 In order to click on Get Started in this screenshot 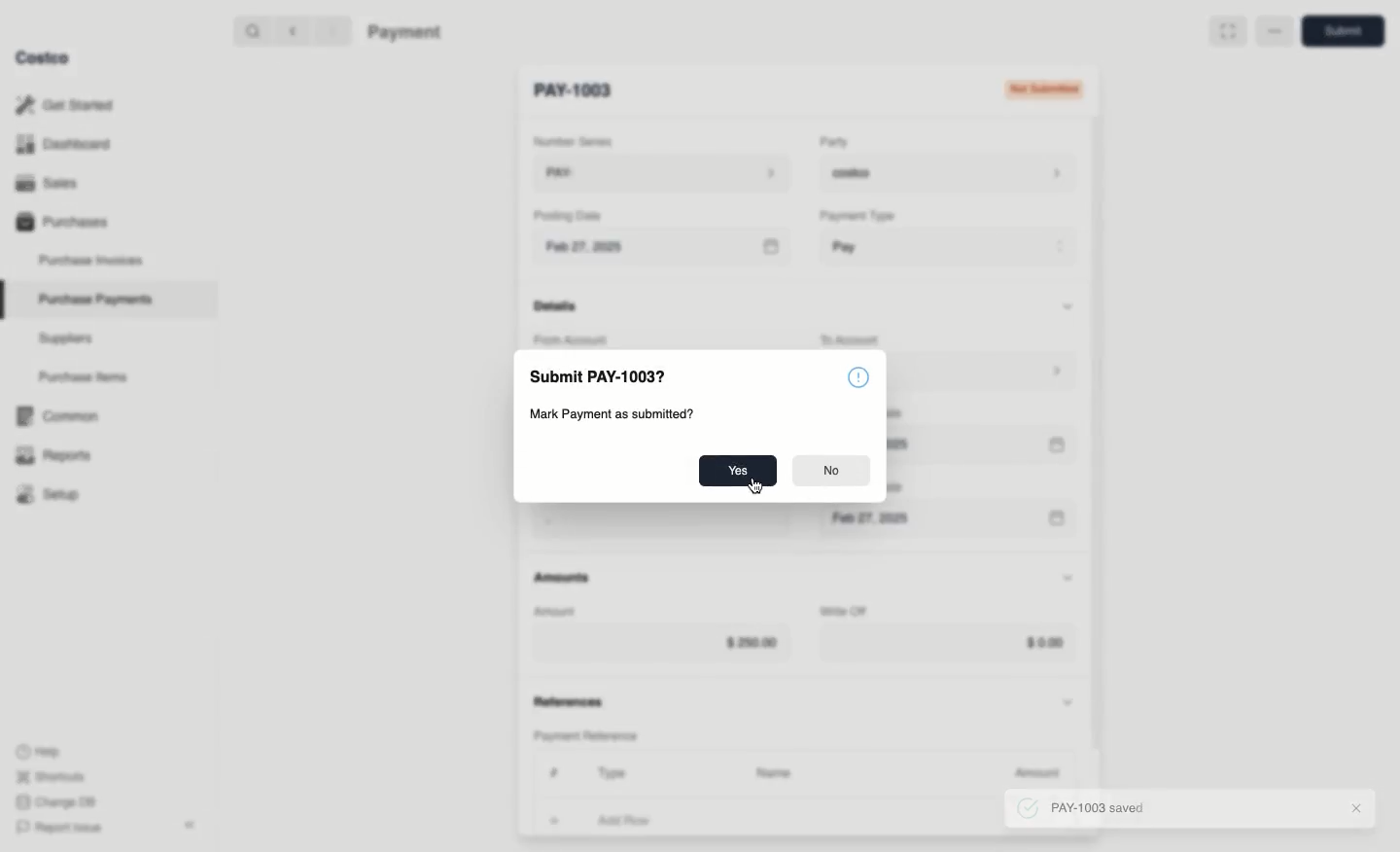, I will do `click(69, 105)`.